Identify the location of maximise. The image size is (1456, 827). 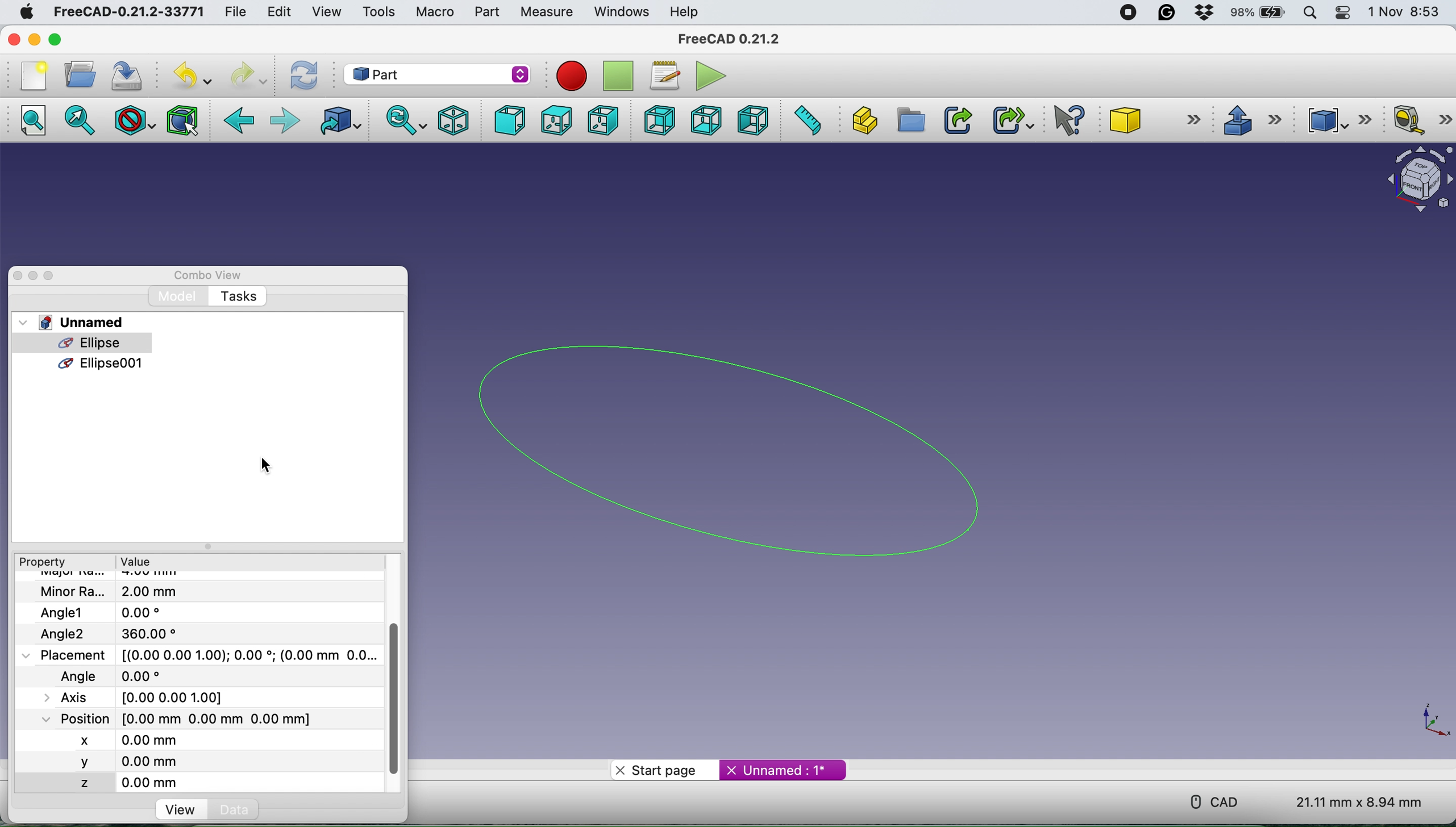
(53, 278).